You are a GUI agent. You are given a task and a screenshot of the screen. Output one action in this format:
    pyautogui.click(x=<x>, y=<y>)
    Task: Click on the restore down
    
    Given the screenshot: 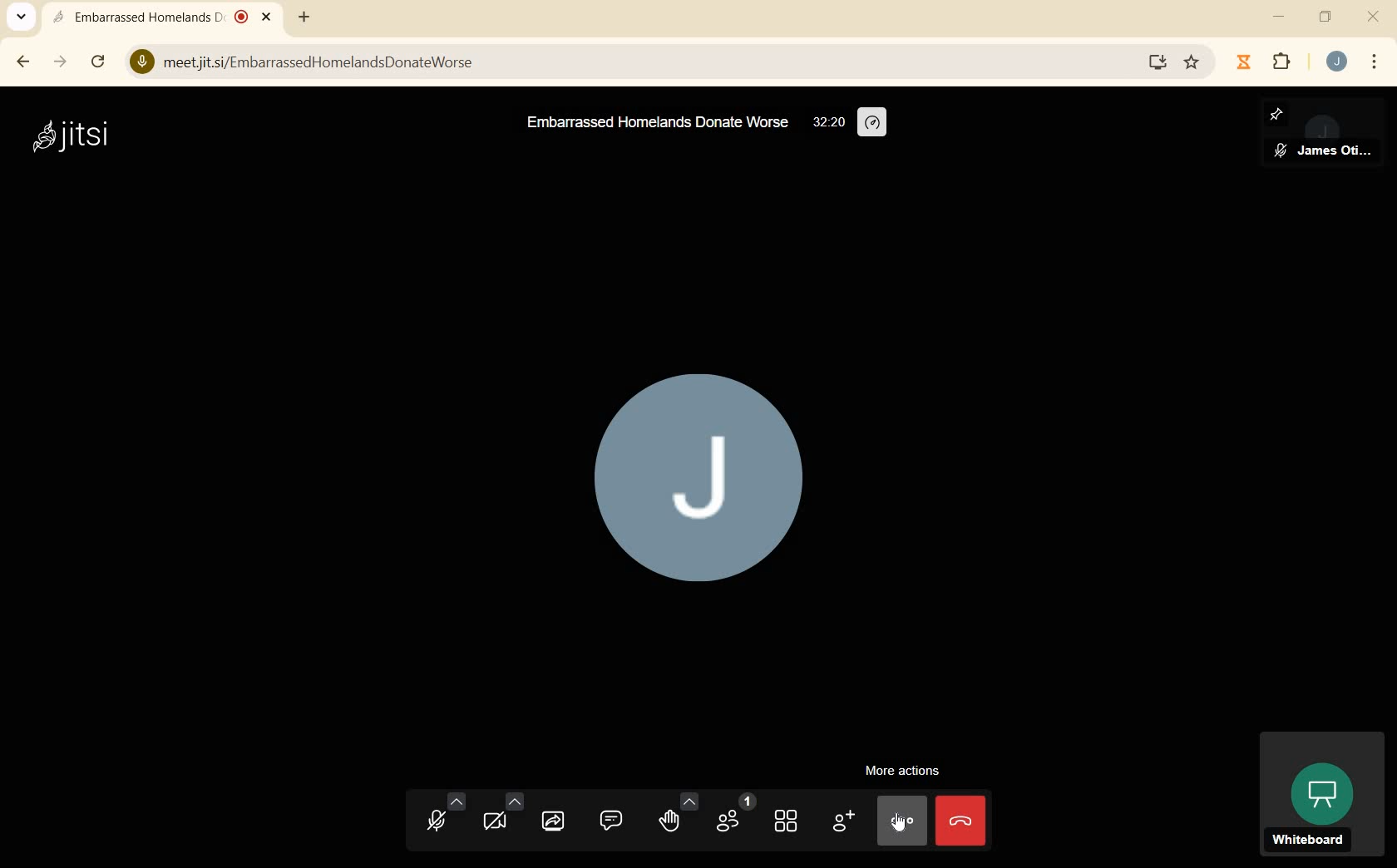 What is the action you would take?
    pyautogui.click(x=1325, y=18)
    